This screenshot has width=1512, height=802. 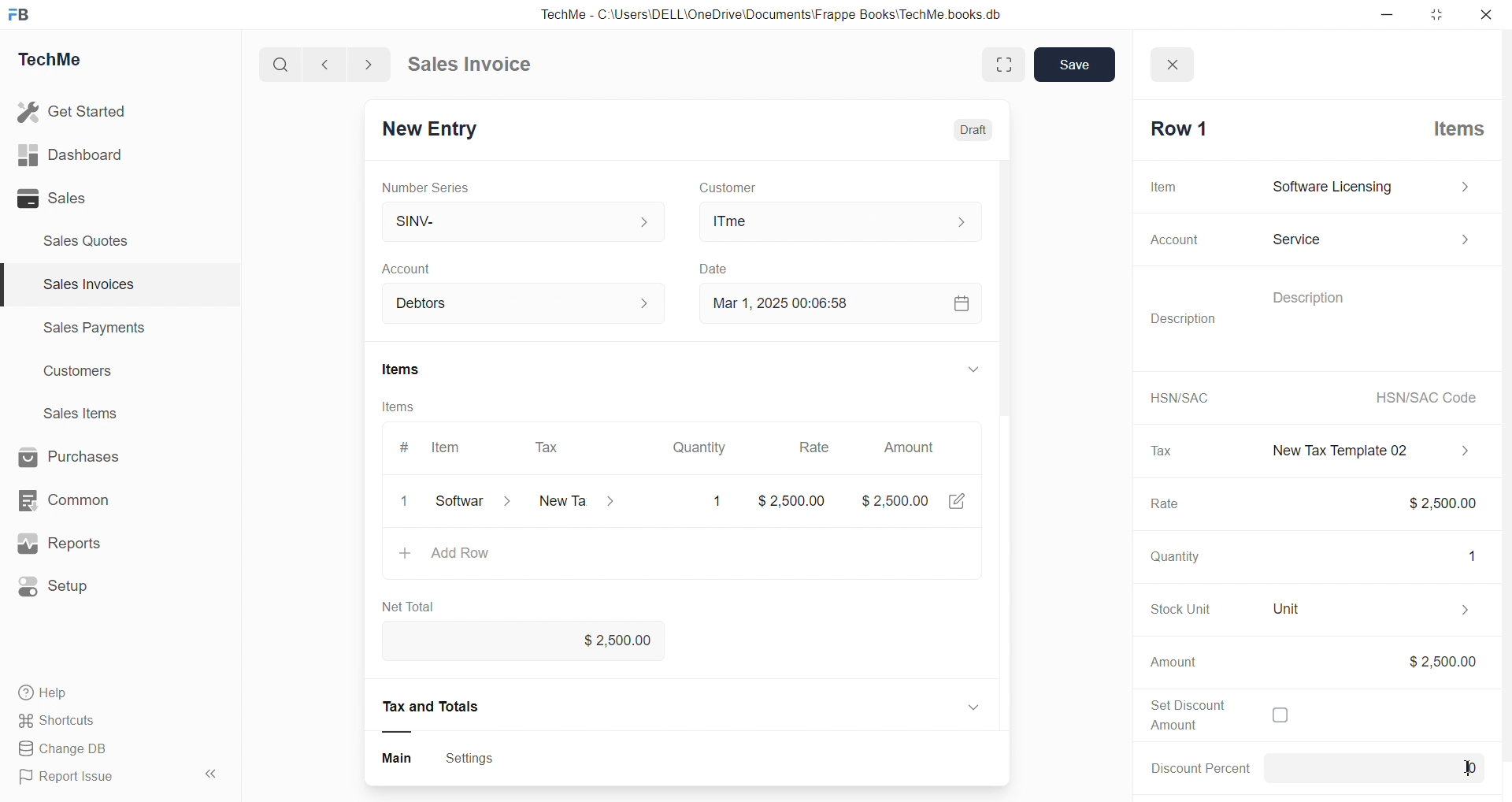 I want to click on Stock Unit, so click(x=1171, y=609).